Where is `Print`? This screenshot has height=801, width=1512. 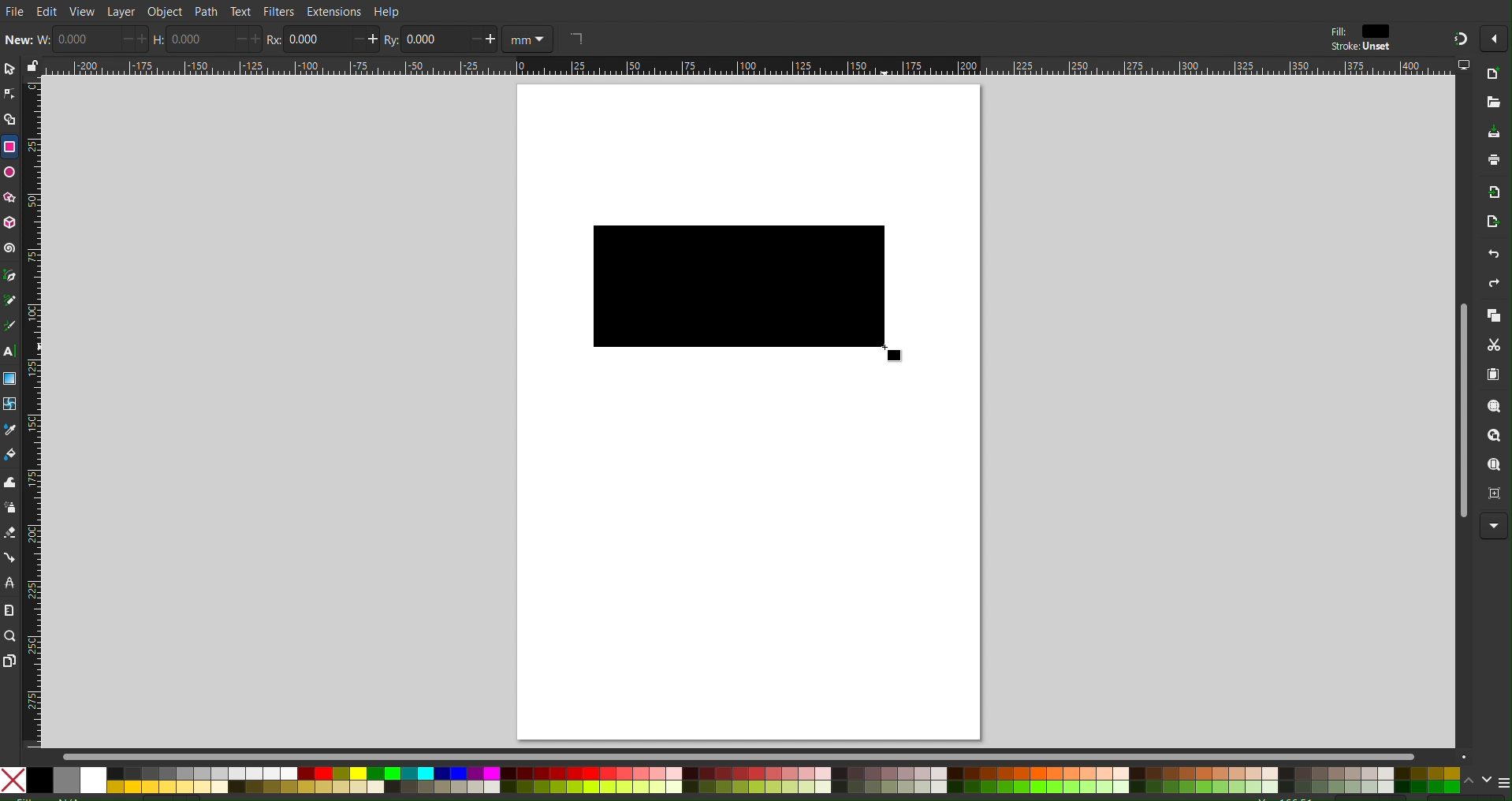
Print is located at coordinates (1490, 164).